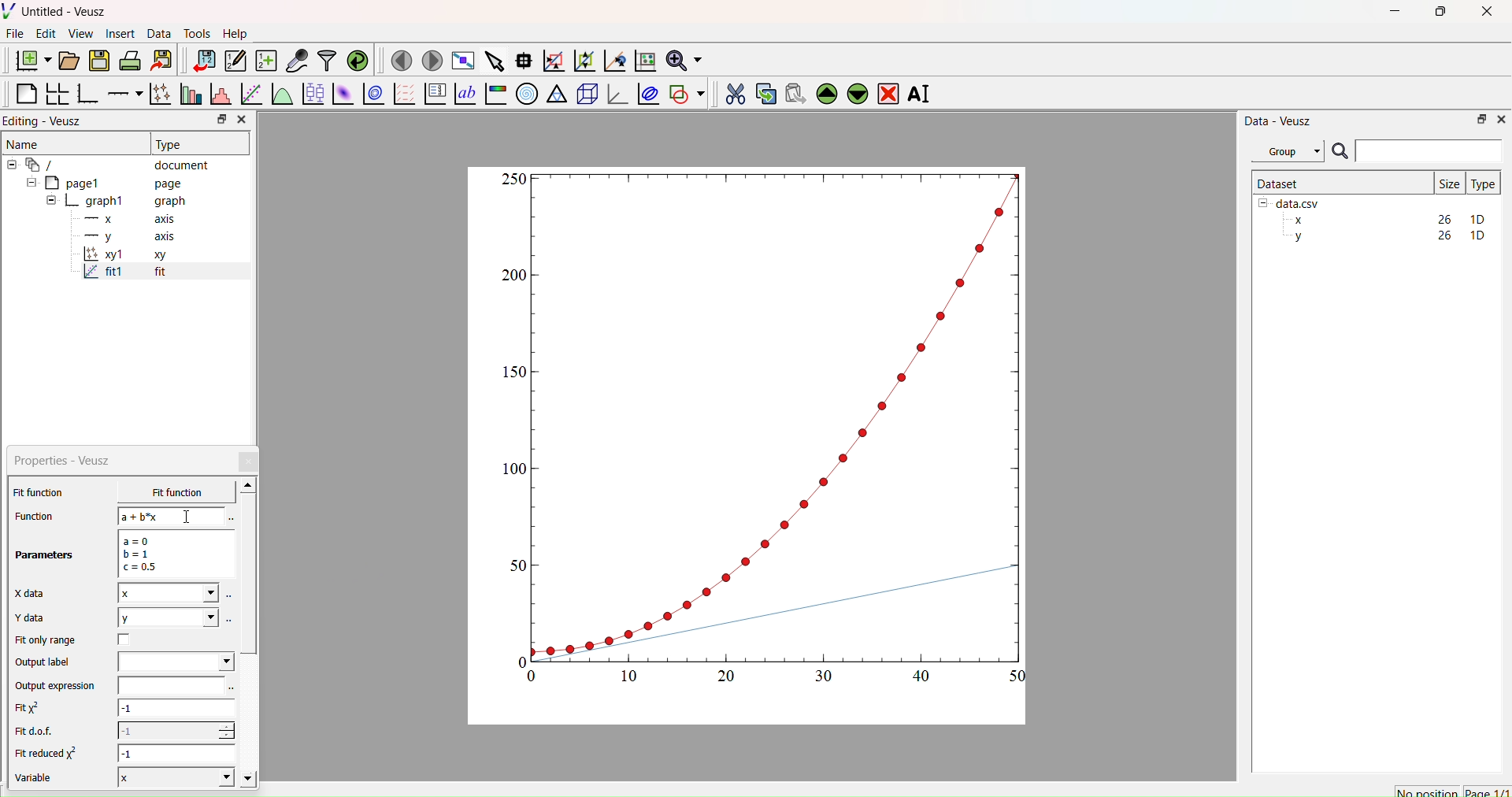  I want to click on Select items, so click(493, 61).